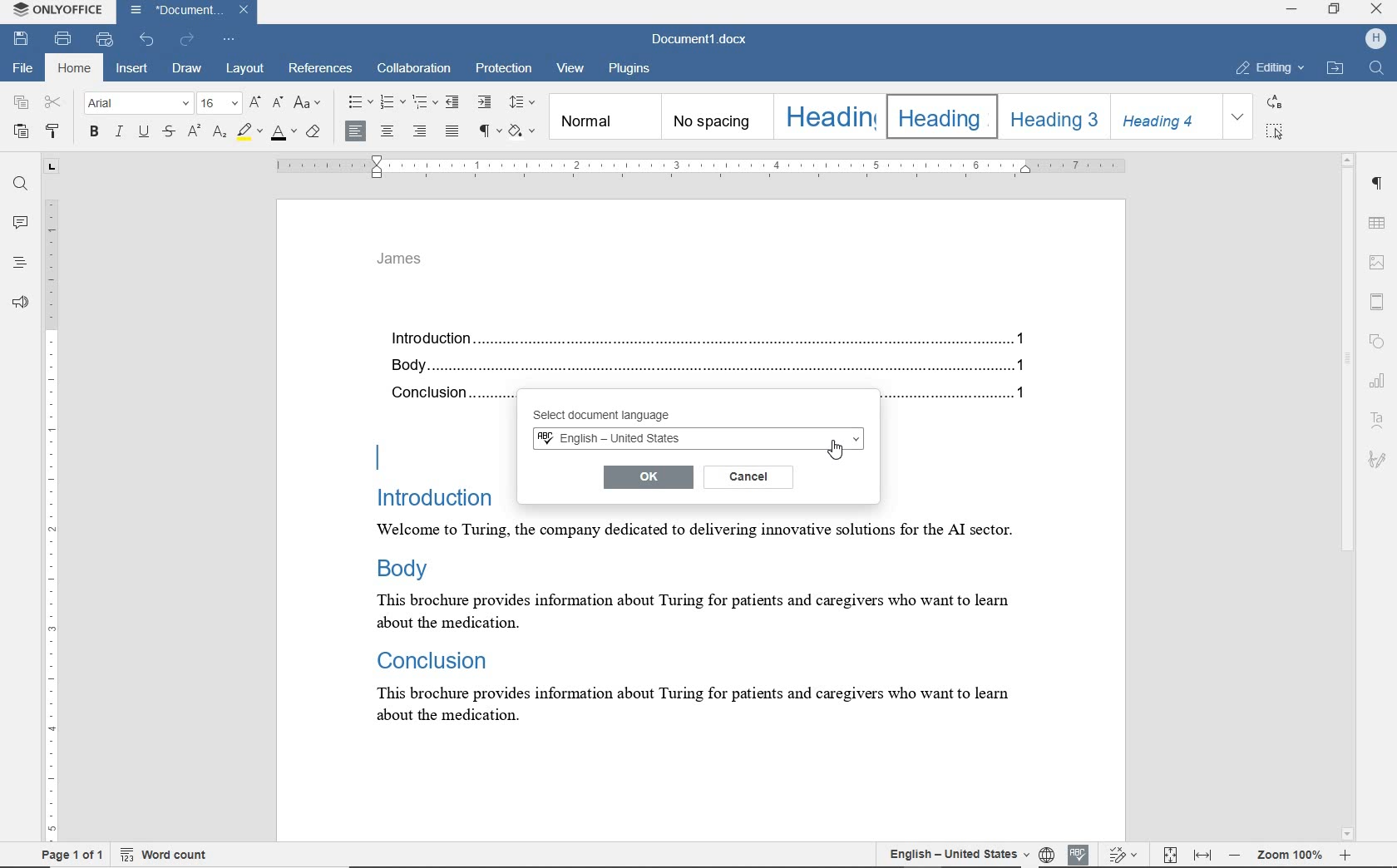  I want to click on , so click(431, 658).